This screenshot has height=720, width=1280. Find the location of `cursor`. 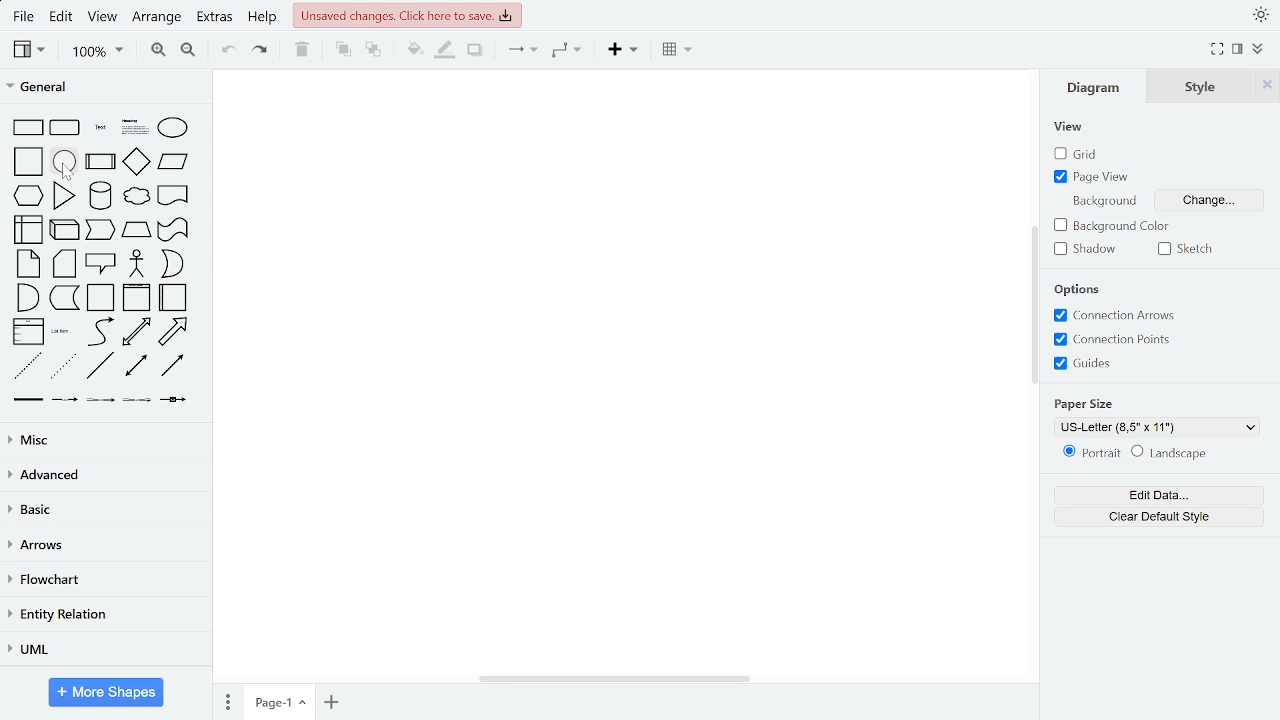

cursor is located at coordinates (67, 172).